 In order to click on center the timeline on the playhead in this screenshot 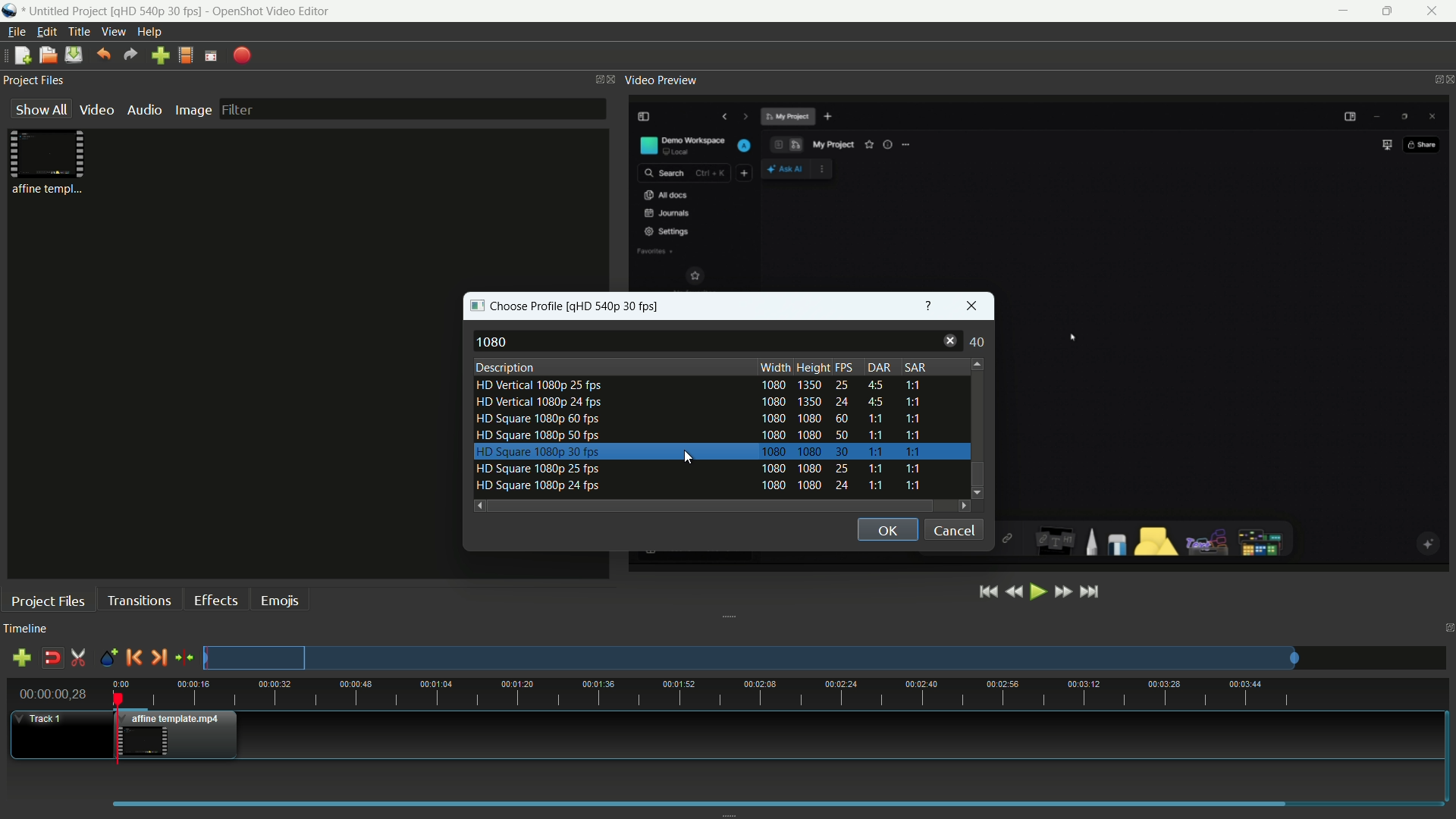, I will do `click(184, 657)`.